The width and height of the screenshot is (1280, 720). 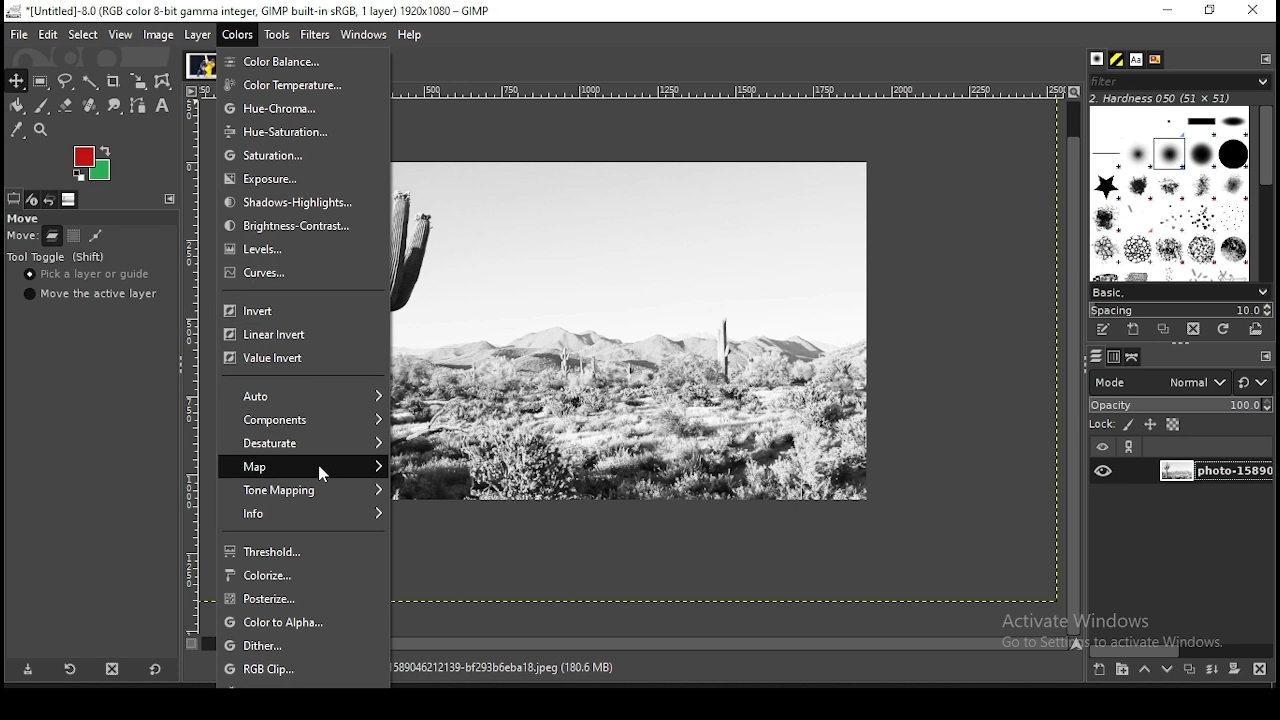 What do you see at coordinates (303, 669) in the screenshot?
I see `rgb clip` at bounding box center [303, 669].